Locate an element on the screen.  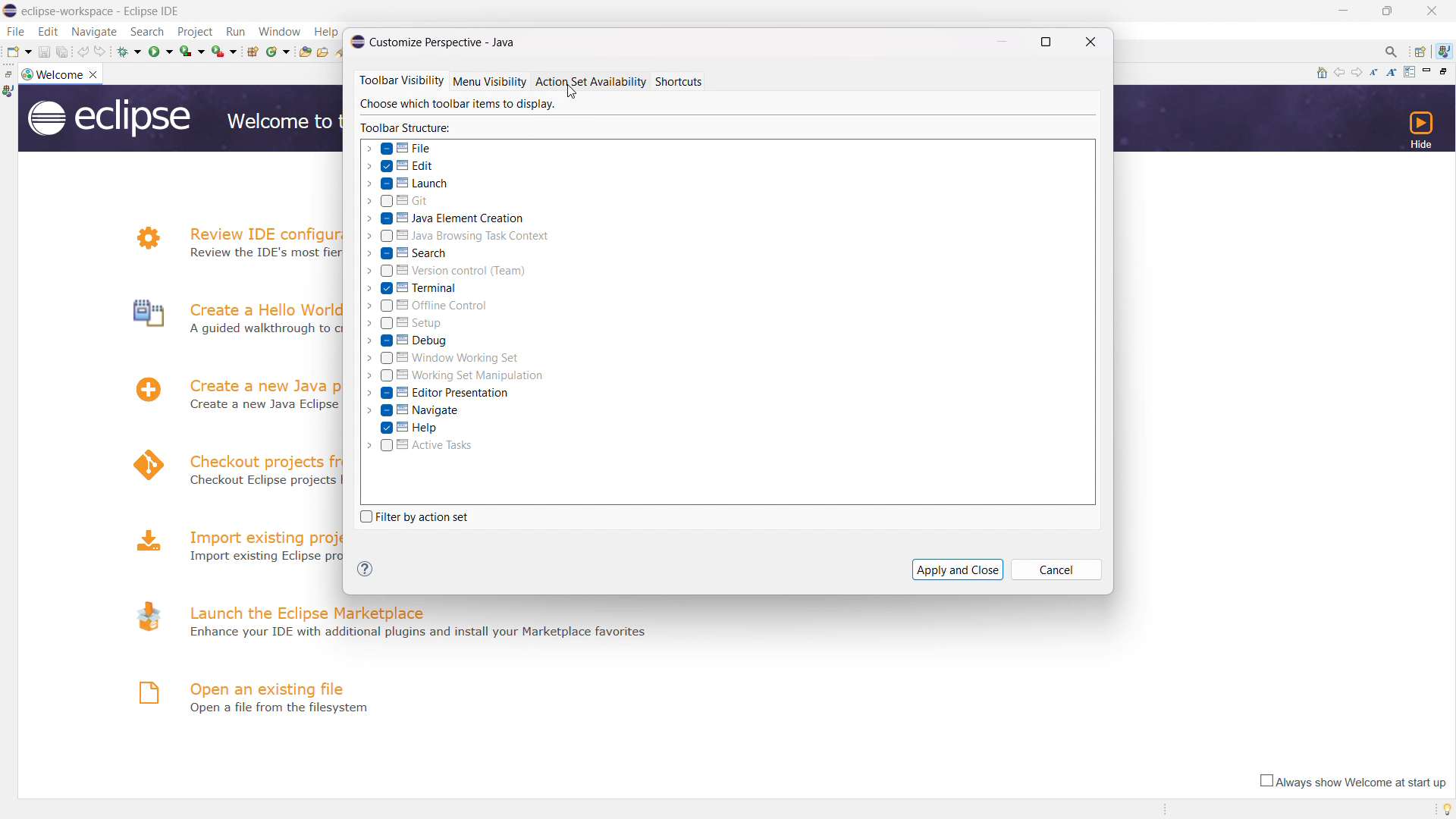
navigate to previous topic is located at coordinates (1339, 73).